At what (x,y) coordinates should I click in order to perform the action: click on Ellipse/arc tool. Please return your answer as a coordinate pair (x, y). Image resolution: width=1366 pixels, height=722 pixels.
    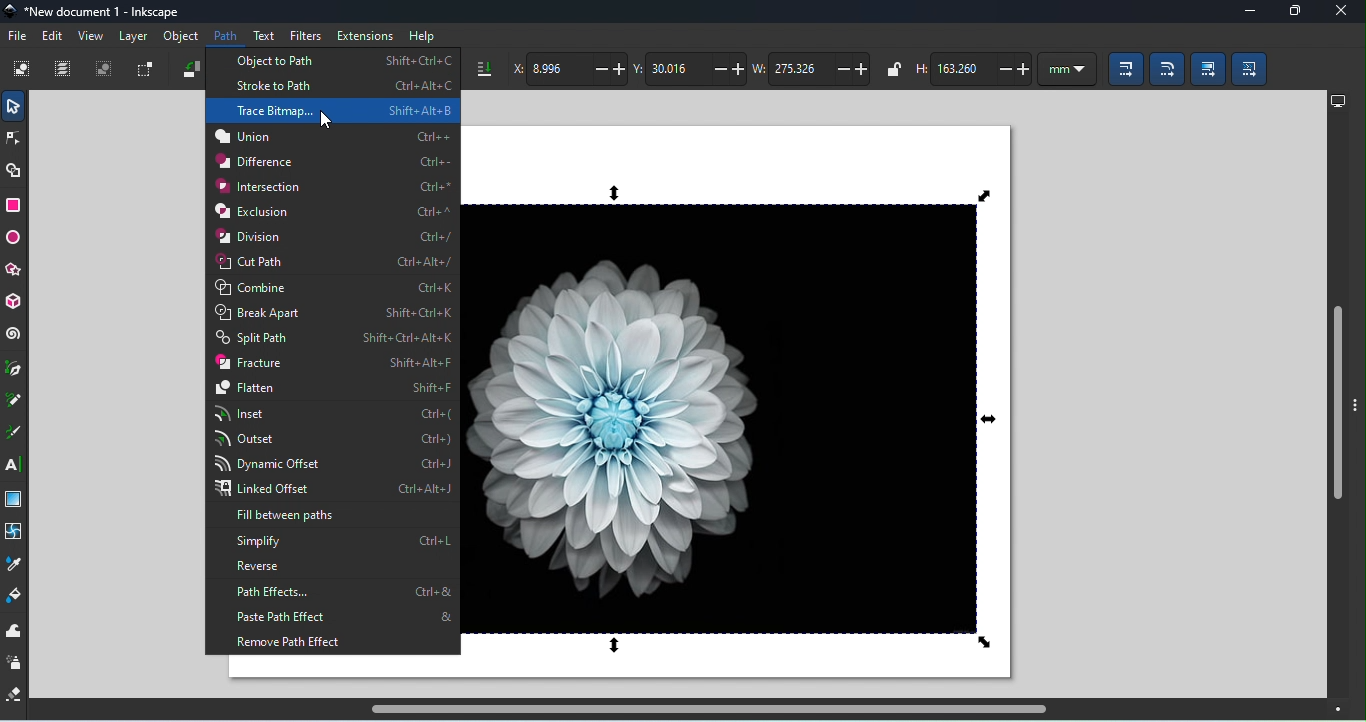
    Looking at the image, I should click on (16, 240).